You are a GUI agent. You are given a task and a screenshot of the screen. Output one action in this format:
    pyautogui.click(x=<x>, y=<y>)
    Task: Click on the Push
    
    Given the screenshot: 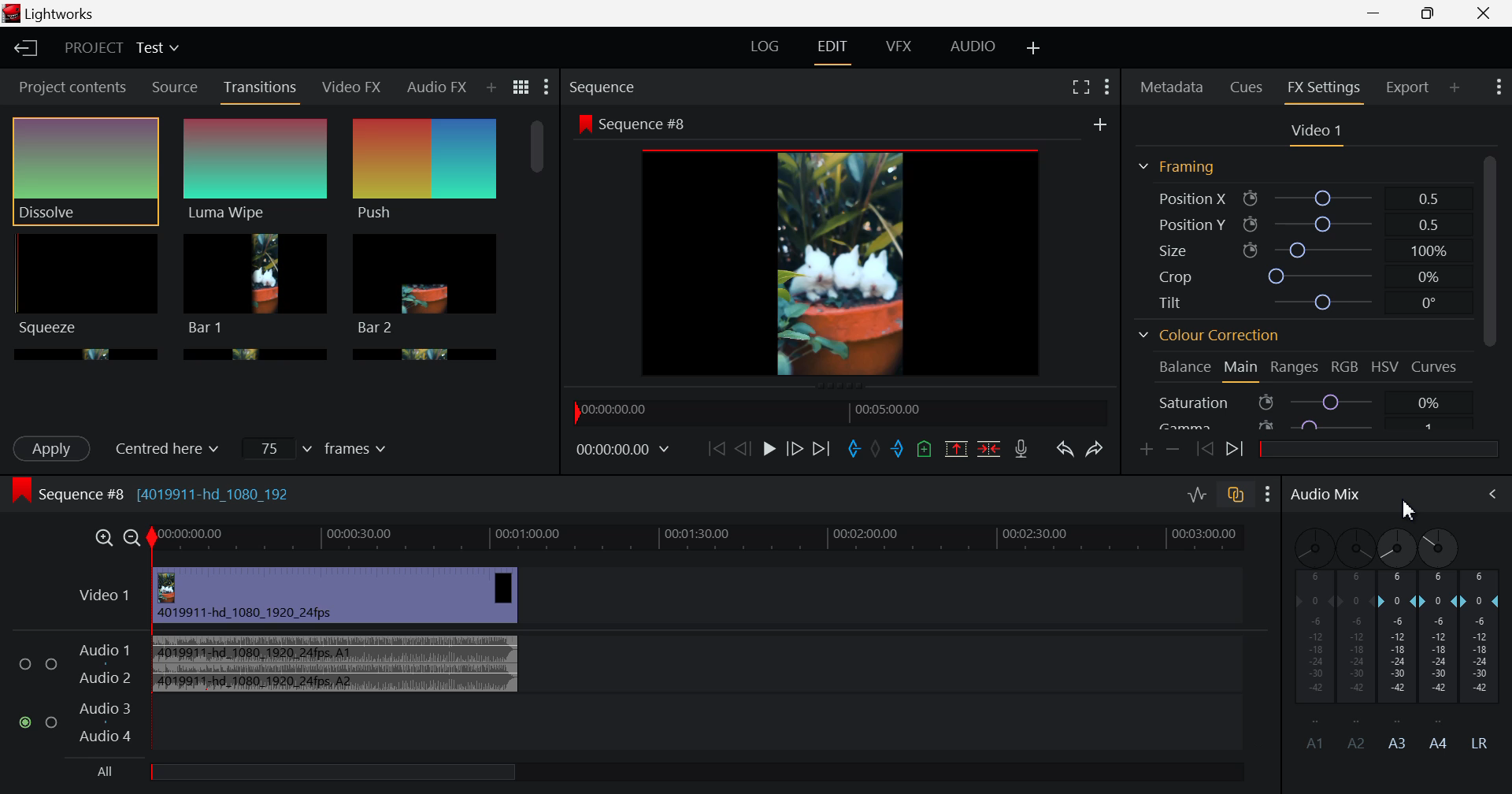 What is the action you would take?
    pyautogui.click(x=426, y=171)
    